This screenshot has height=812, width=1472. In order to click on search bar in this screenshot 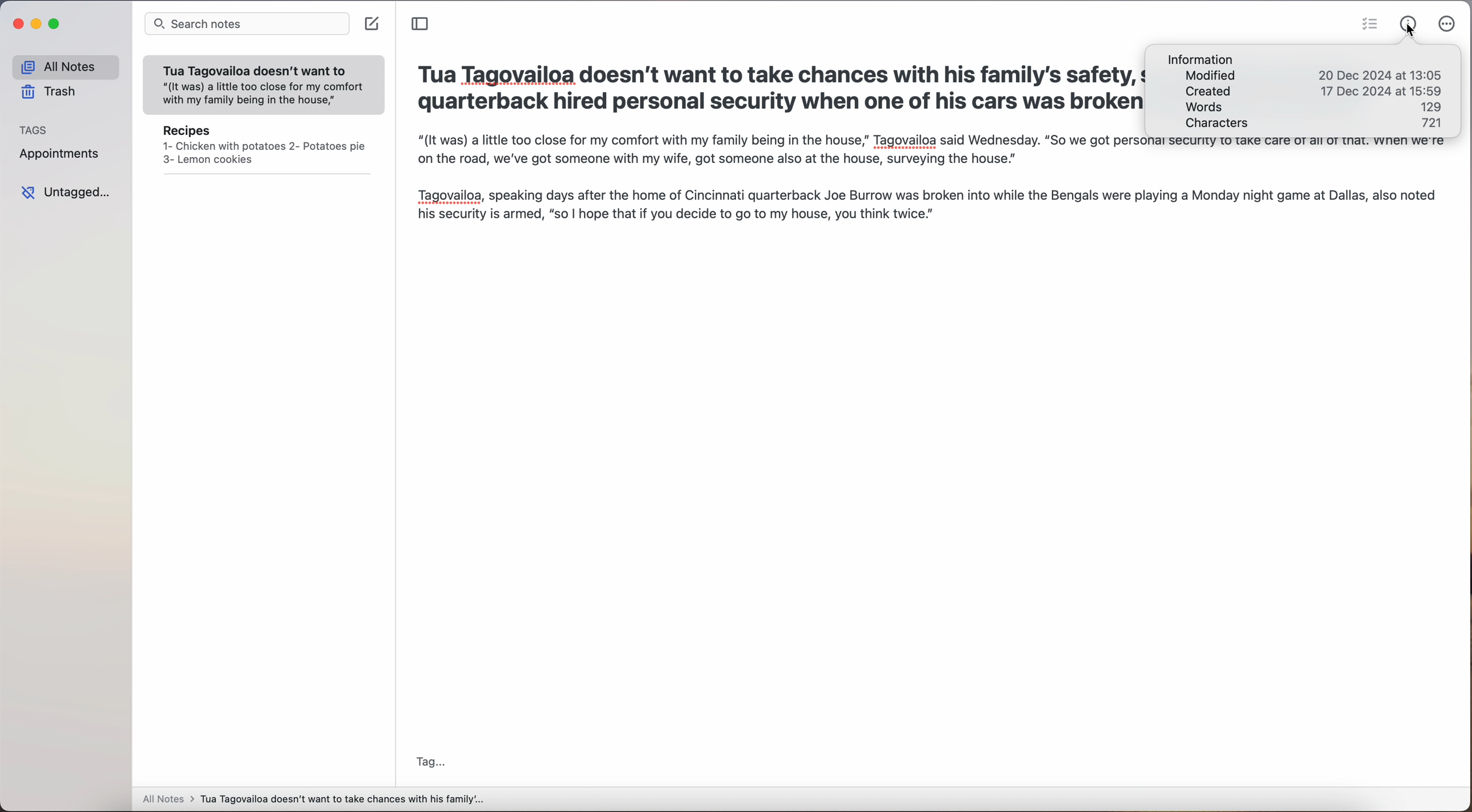, I will do `click(246, 26)`.